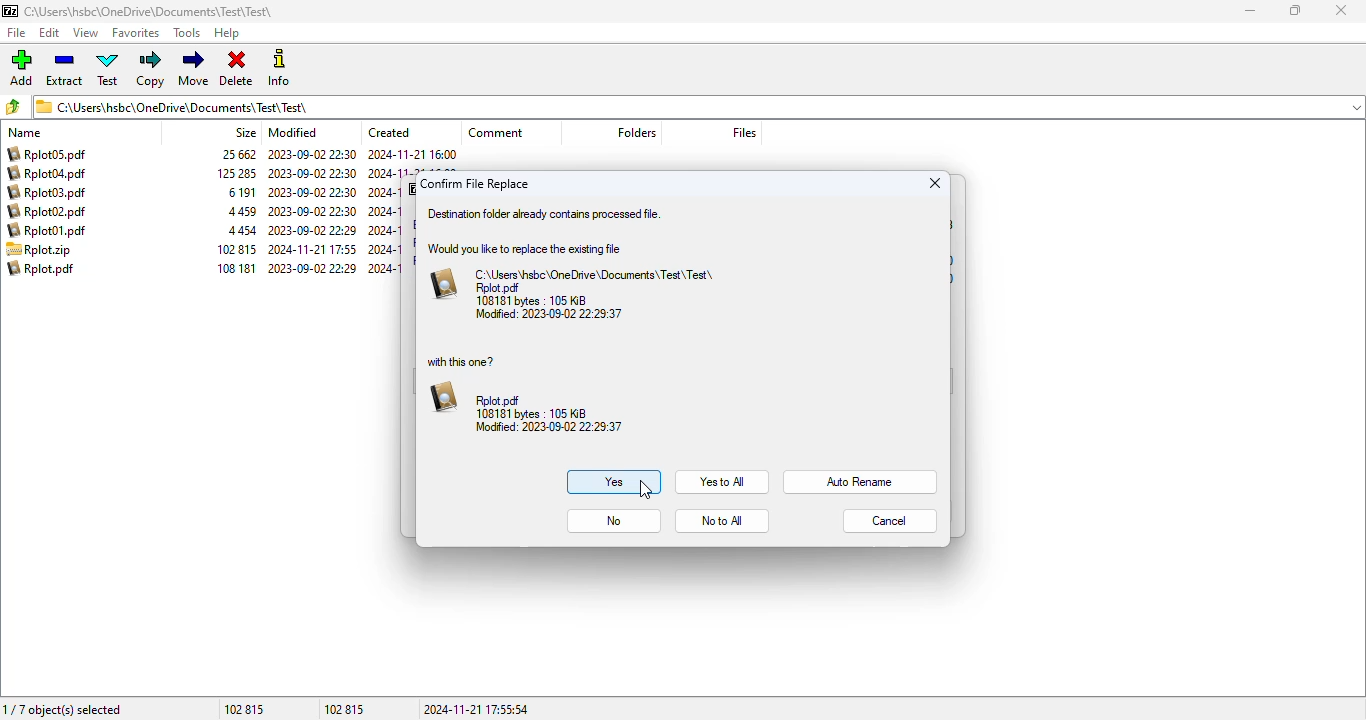 The height and width of the screenshot is (720, 1366). I want to click on 102815, so click(247, 710).